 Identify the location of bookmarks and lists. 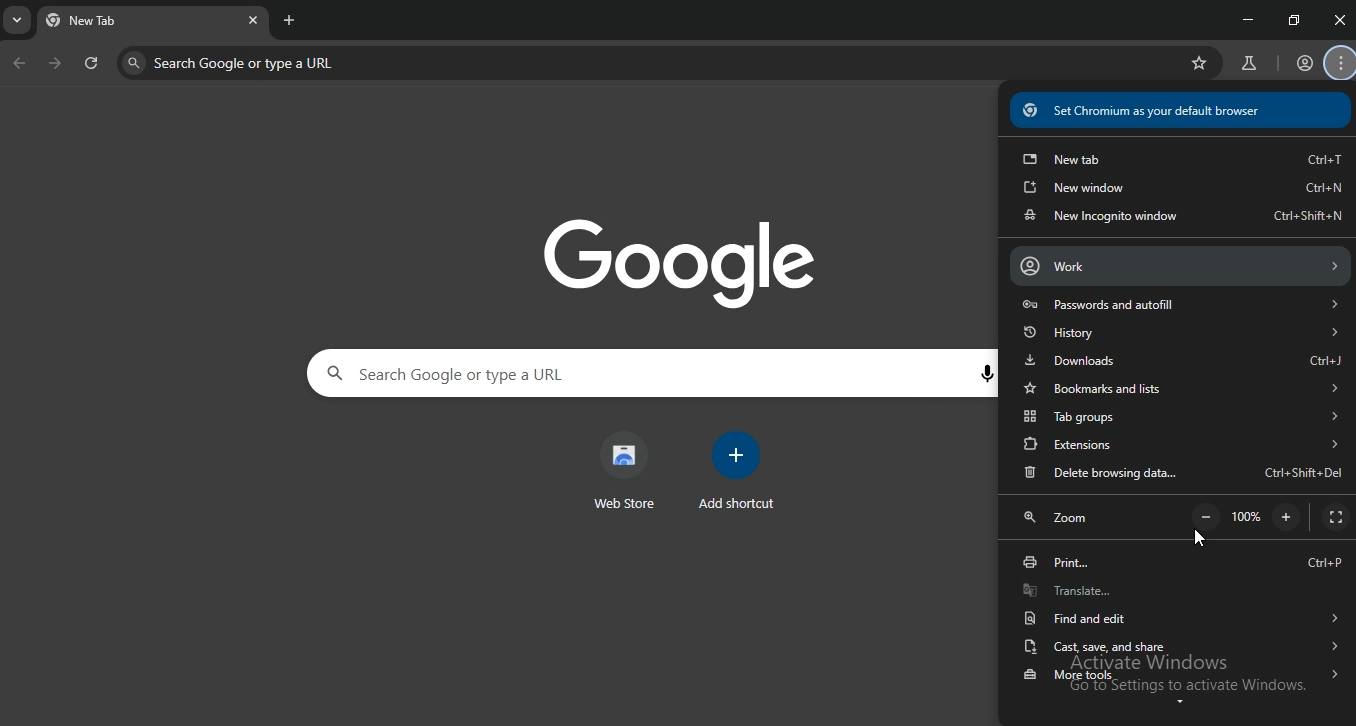
(1177, 390).